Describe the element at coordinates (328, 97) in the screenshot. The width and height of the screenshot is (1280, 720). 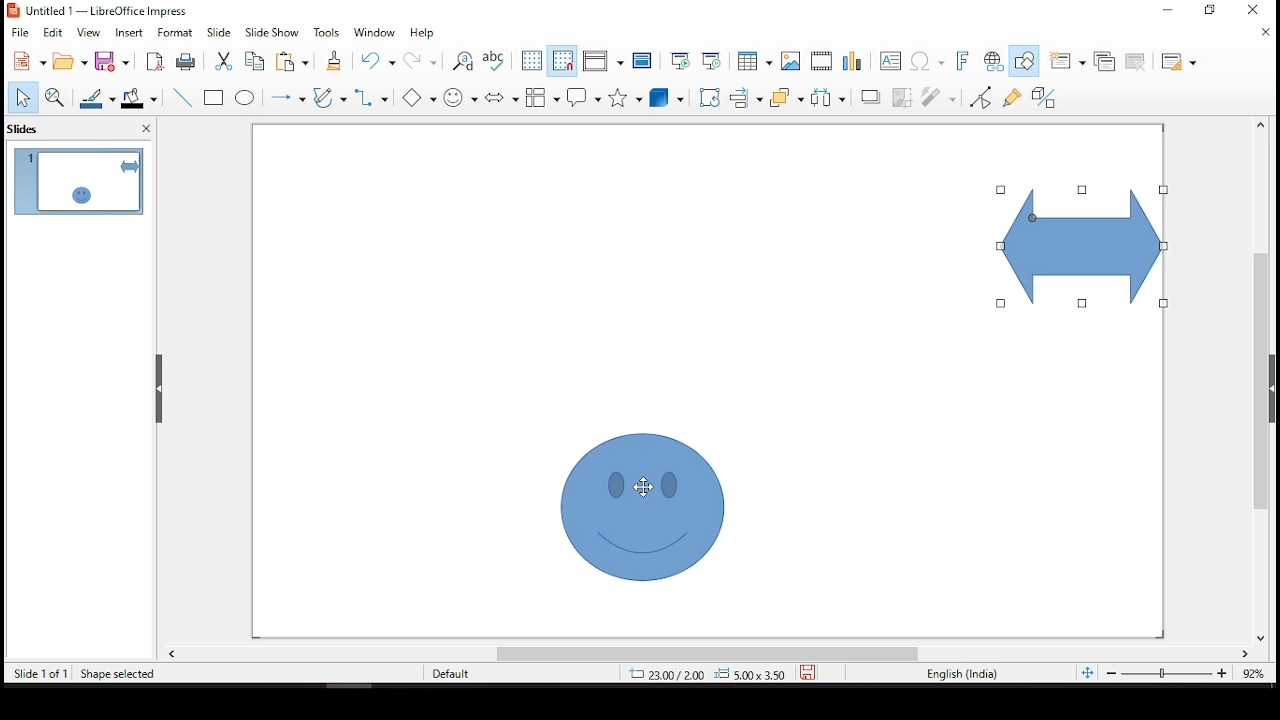
I see `curves and polygons` at that location.